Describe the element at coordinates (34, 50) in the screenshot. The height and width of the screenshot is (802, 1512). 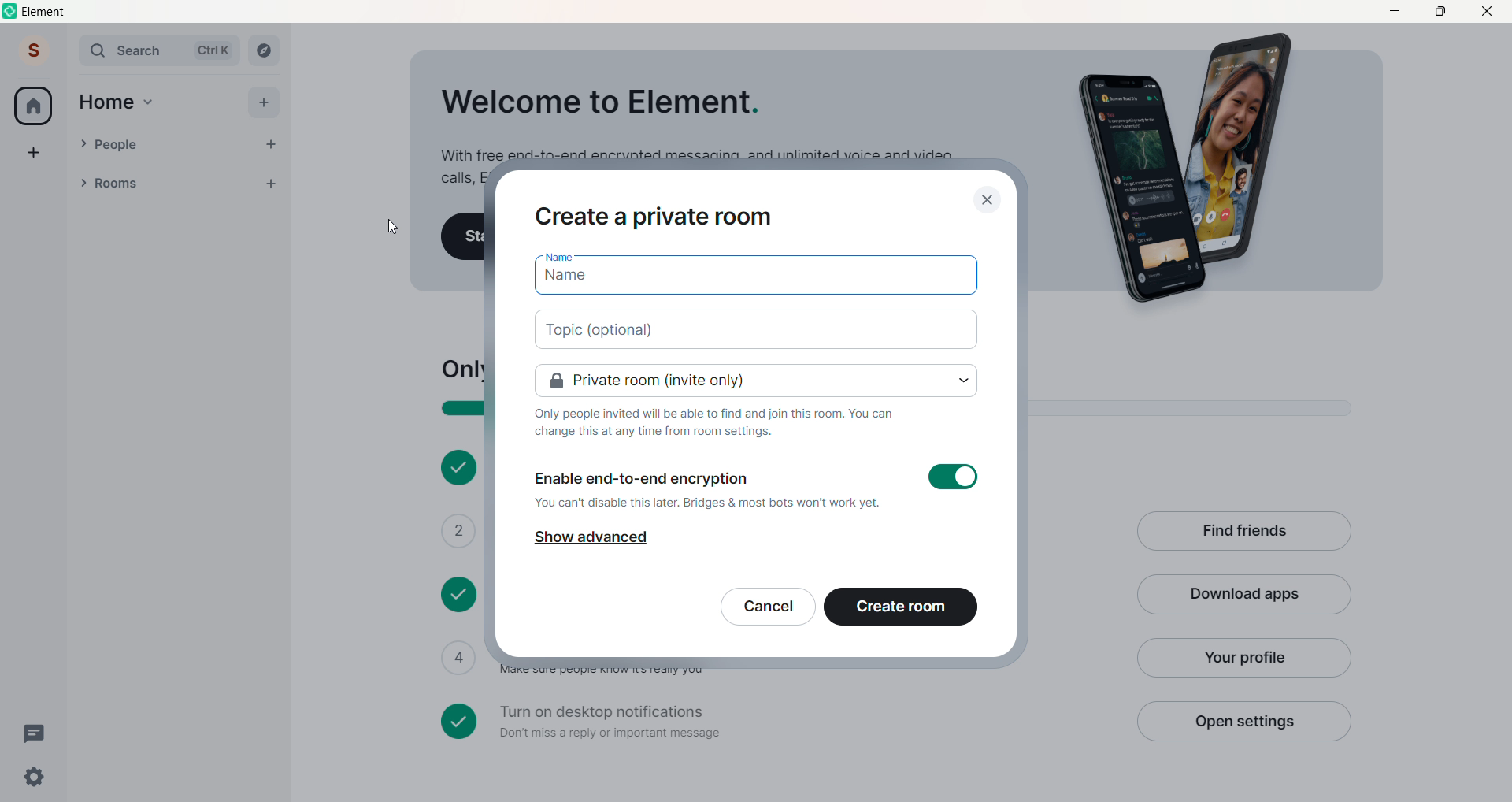
I see `Account` at that location.